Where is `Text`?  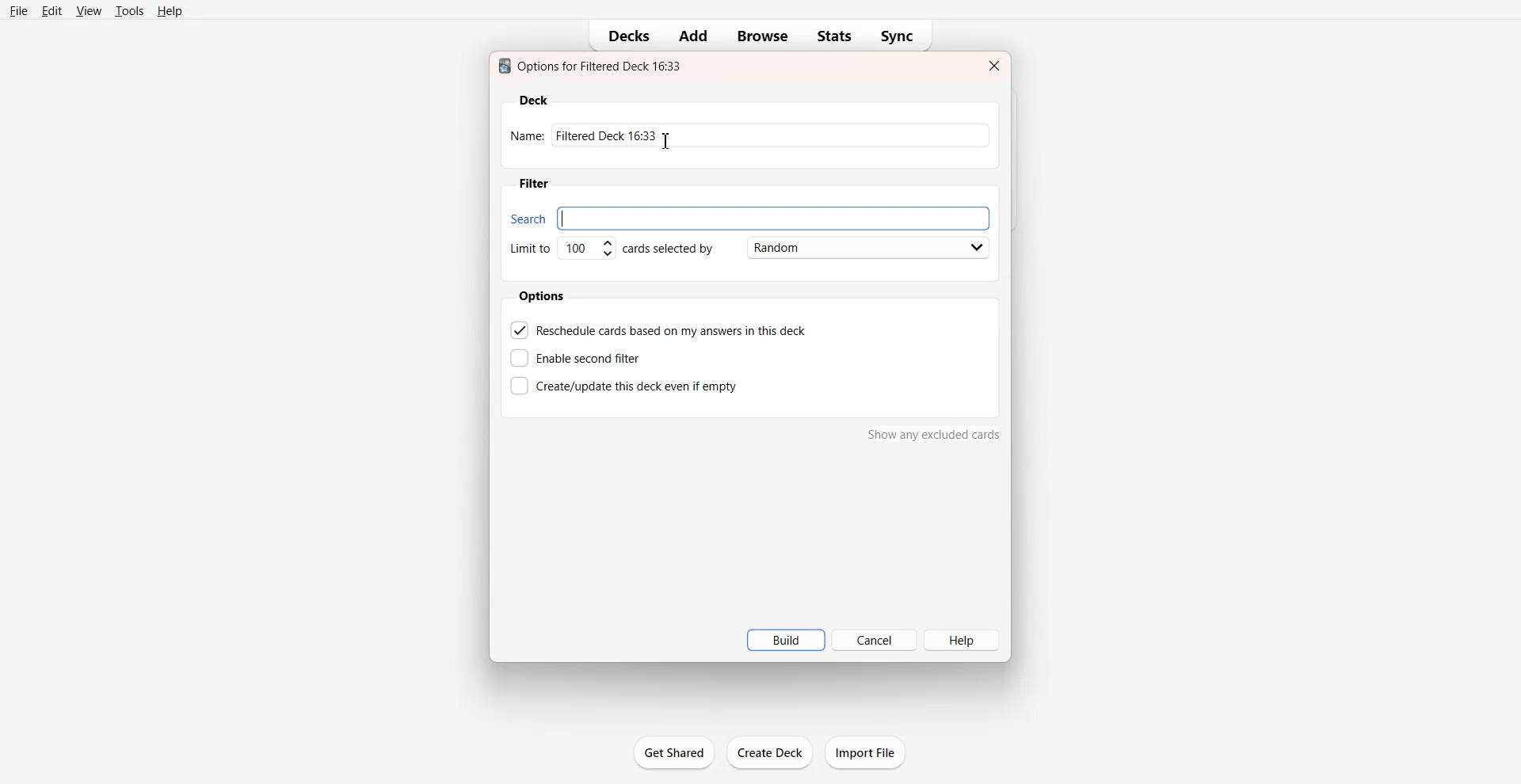
Text is located at coordinates (593, 66).